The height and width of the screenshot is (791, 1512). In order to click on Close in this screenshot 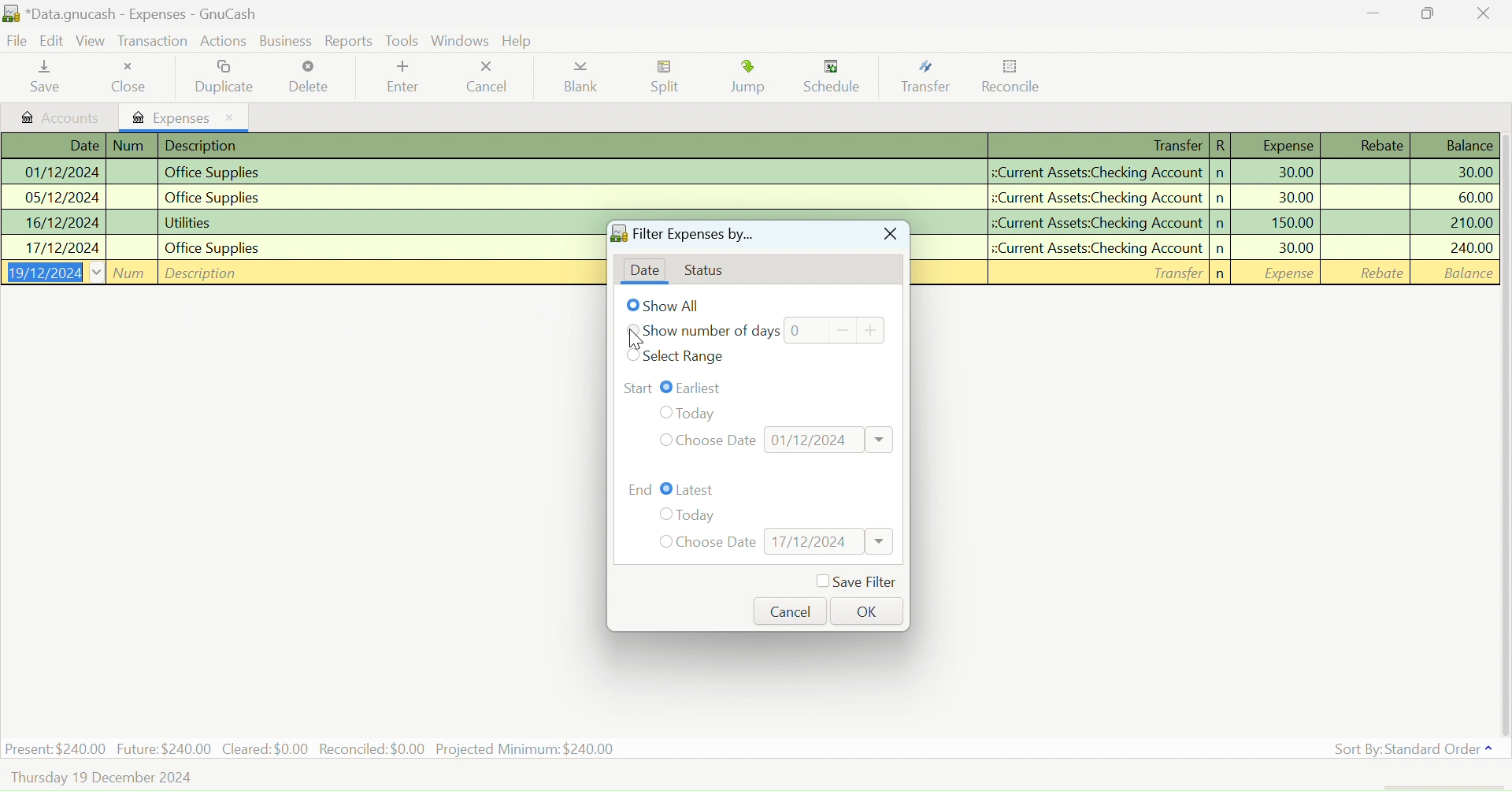, I will do `click(133, 77)`.